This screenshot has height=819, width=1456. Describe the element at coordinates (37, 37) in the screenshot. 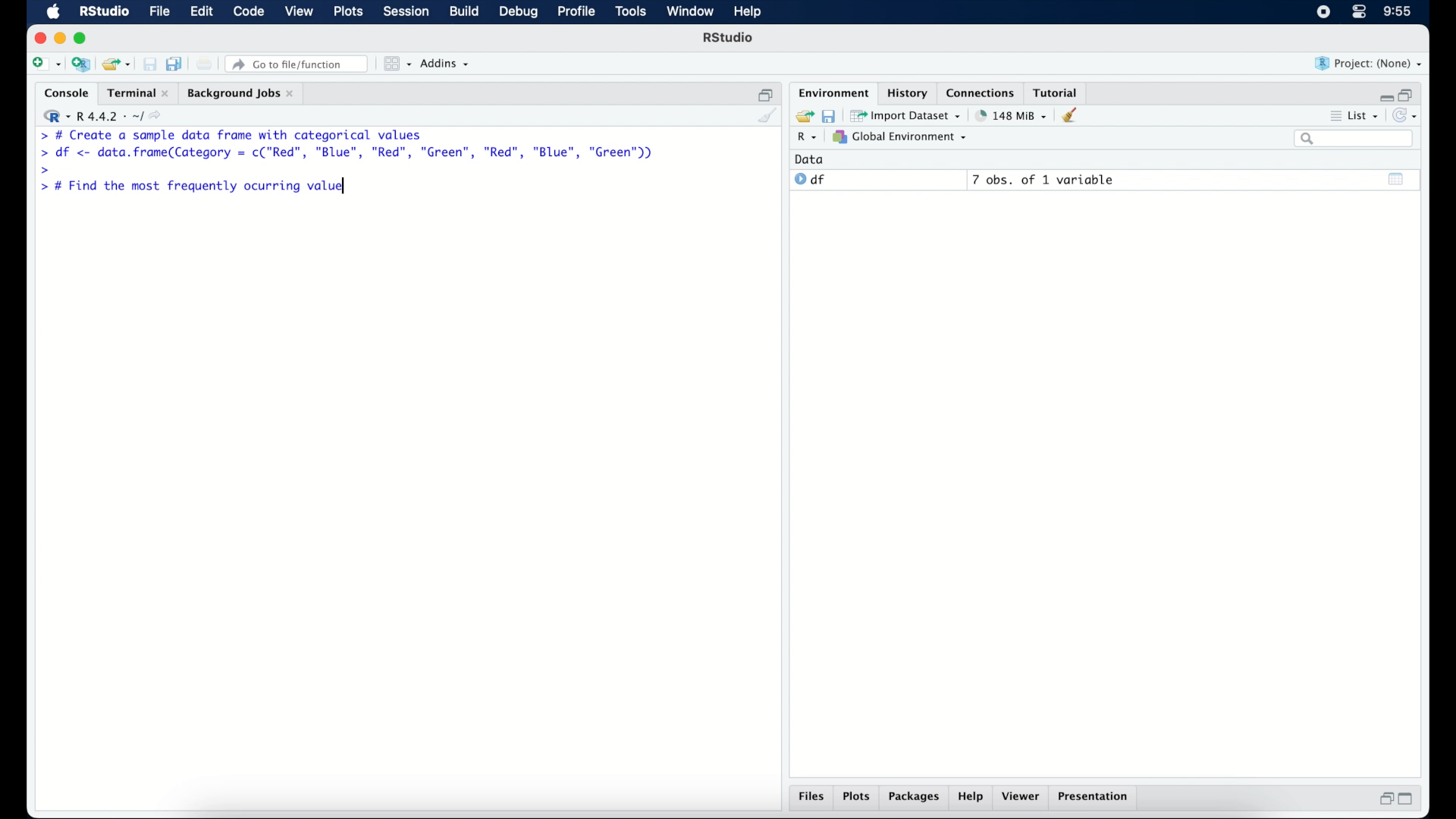

I see `close` at that location.